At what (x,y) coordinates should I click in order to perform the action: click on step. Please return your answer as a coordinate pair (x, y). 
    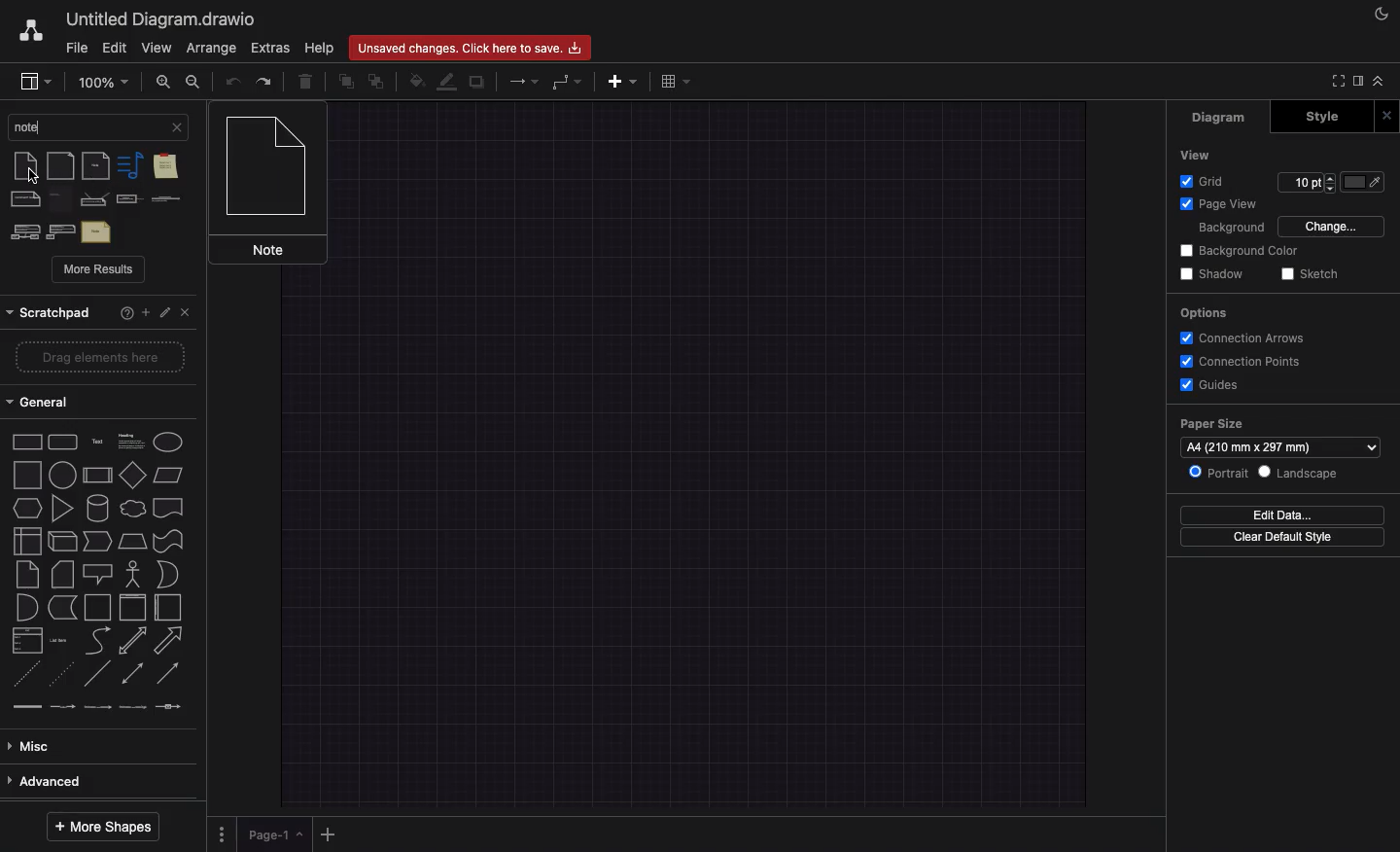
    Looking at the image, I should click on (99, 542).